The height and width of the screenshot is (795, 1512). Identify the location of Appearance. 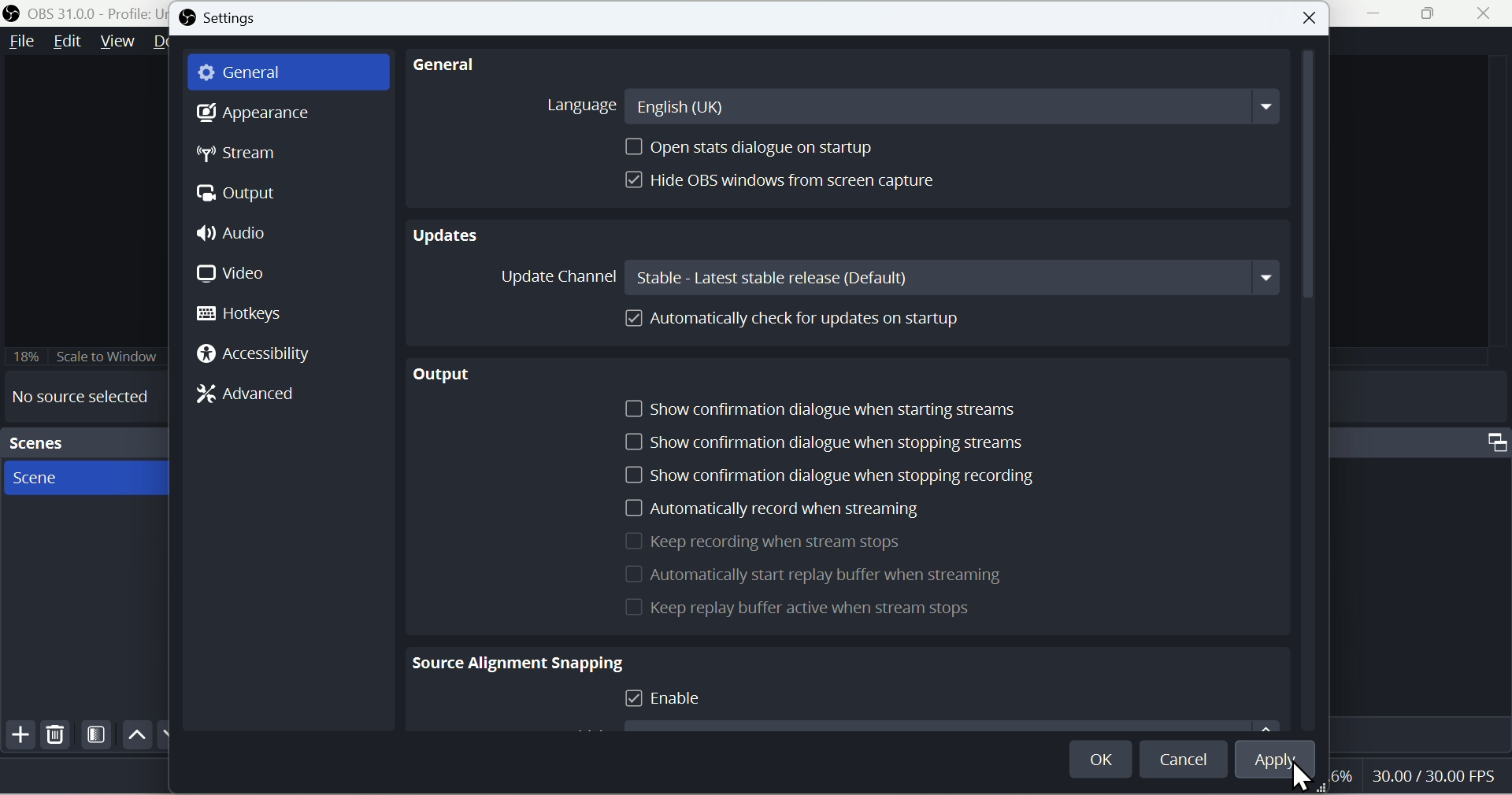
(250, 113).